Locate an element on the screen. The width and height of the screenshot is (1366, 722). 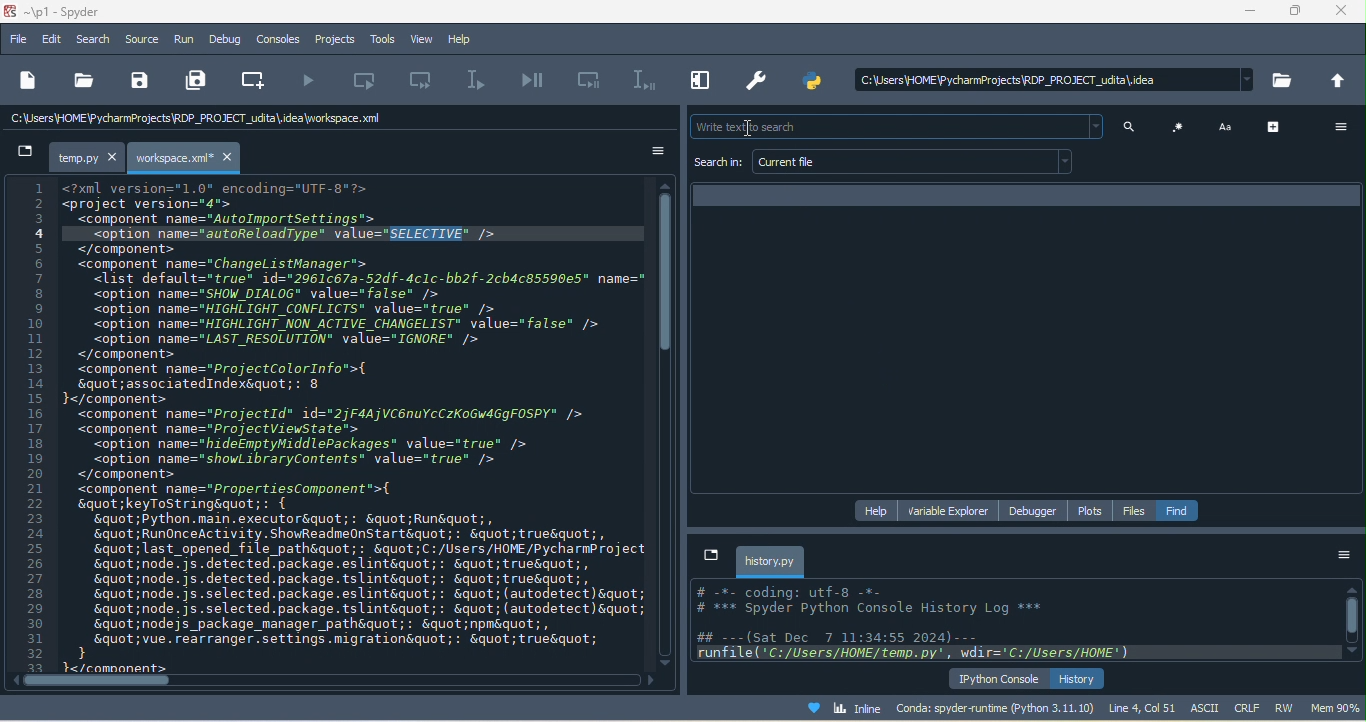
history.py tab is located at coordinates (771, 561).